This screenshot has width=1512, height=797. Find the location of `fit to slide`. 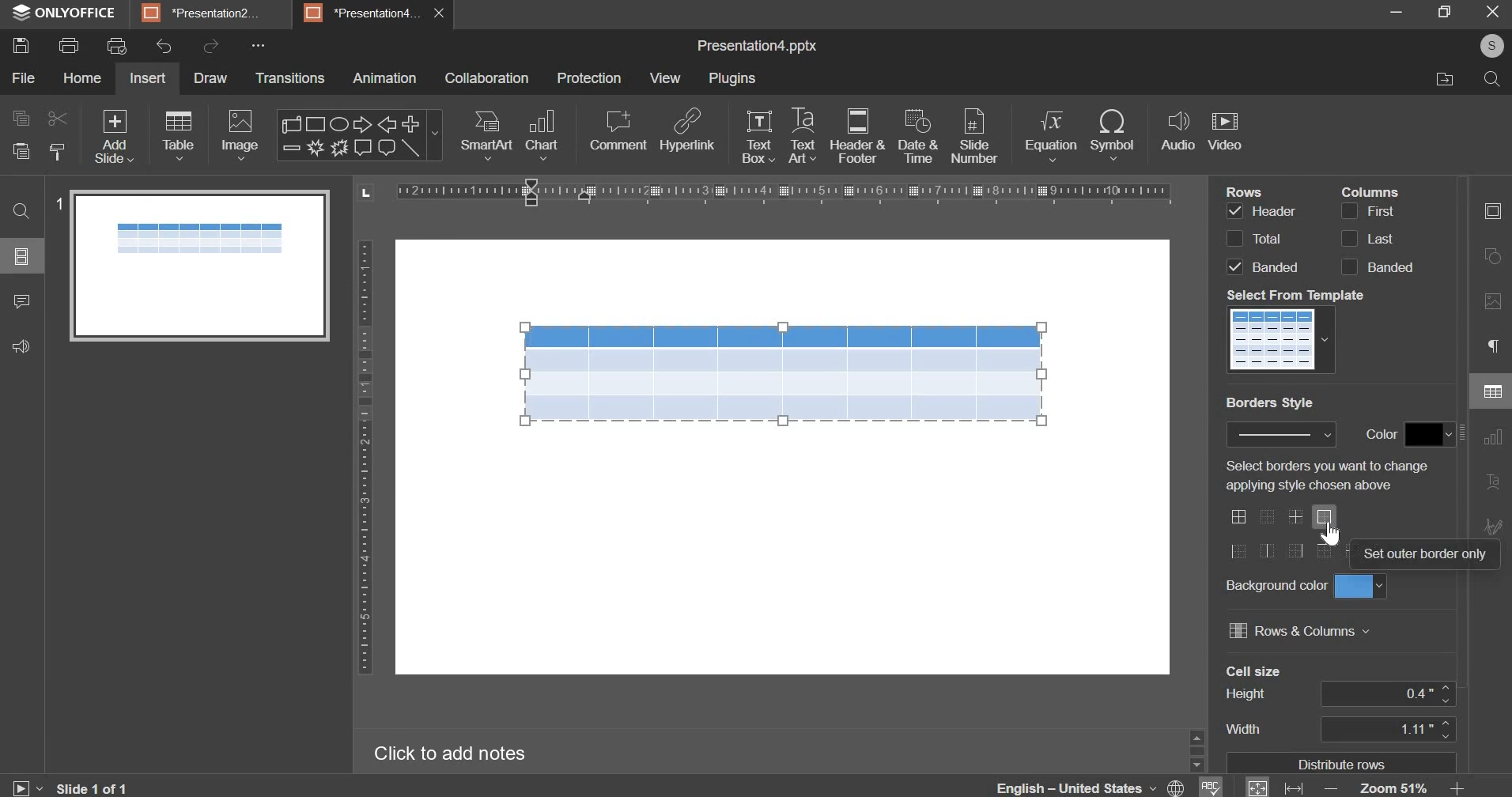

fit to slide is located at coordinates (1259, 788).